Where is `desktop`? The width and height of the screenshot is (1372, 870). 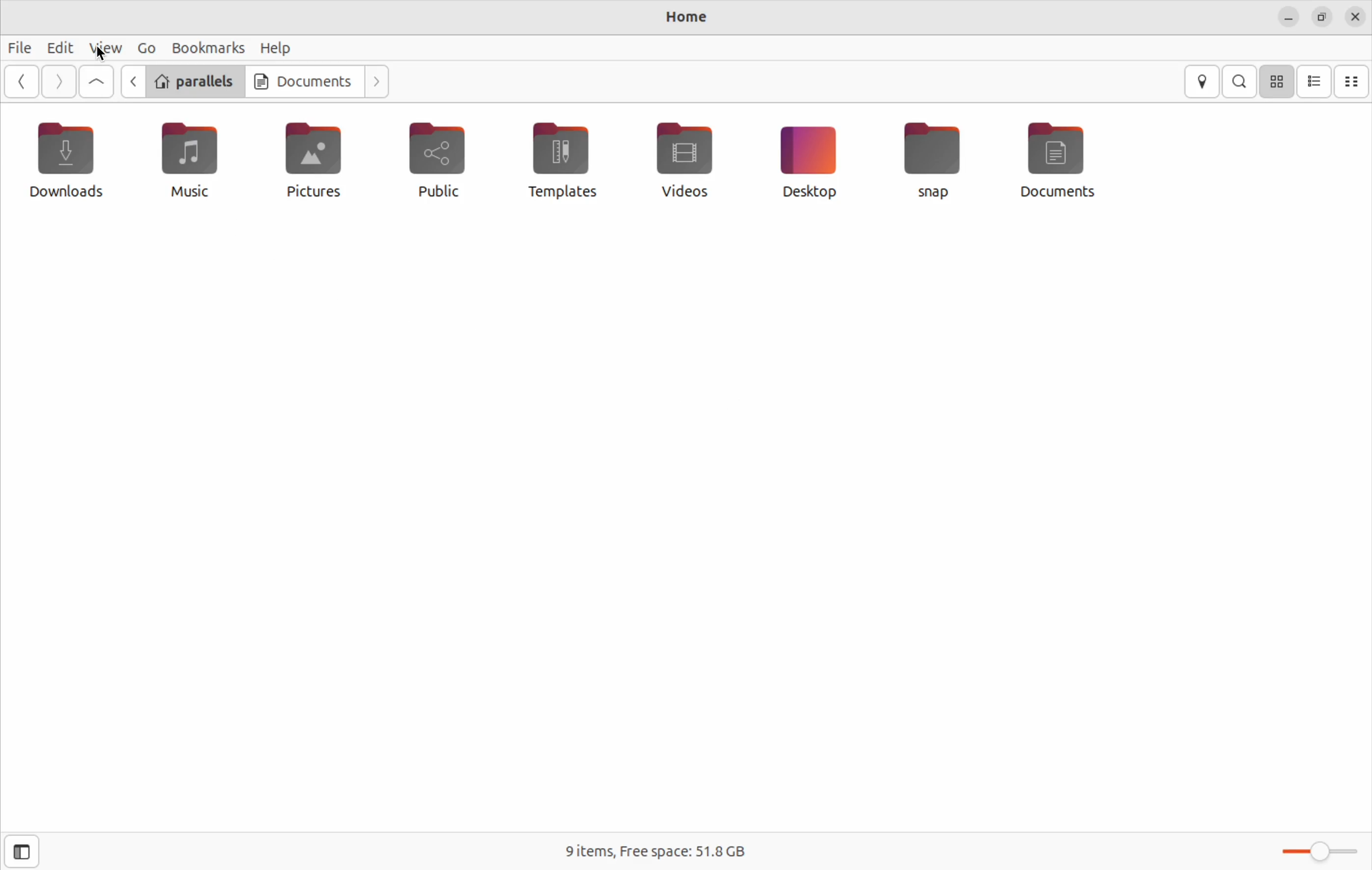
desktop is located at coordinates (807, 161).